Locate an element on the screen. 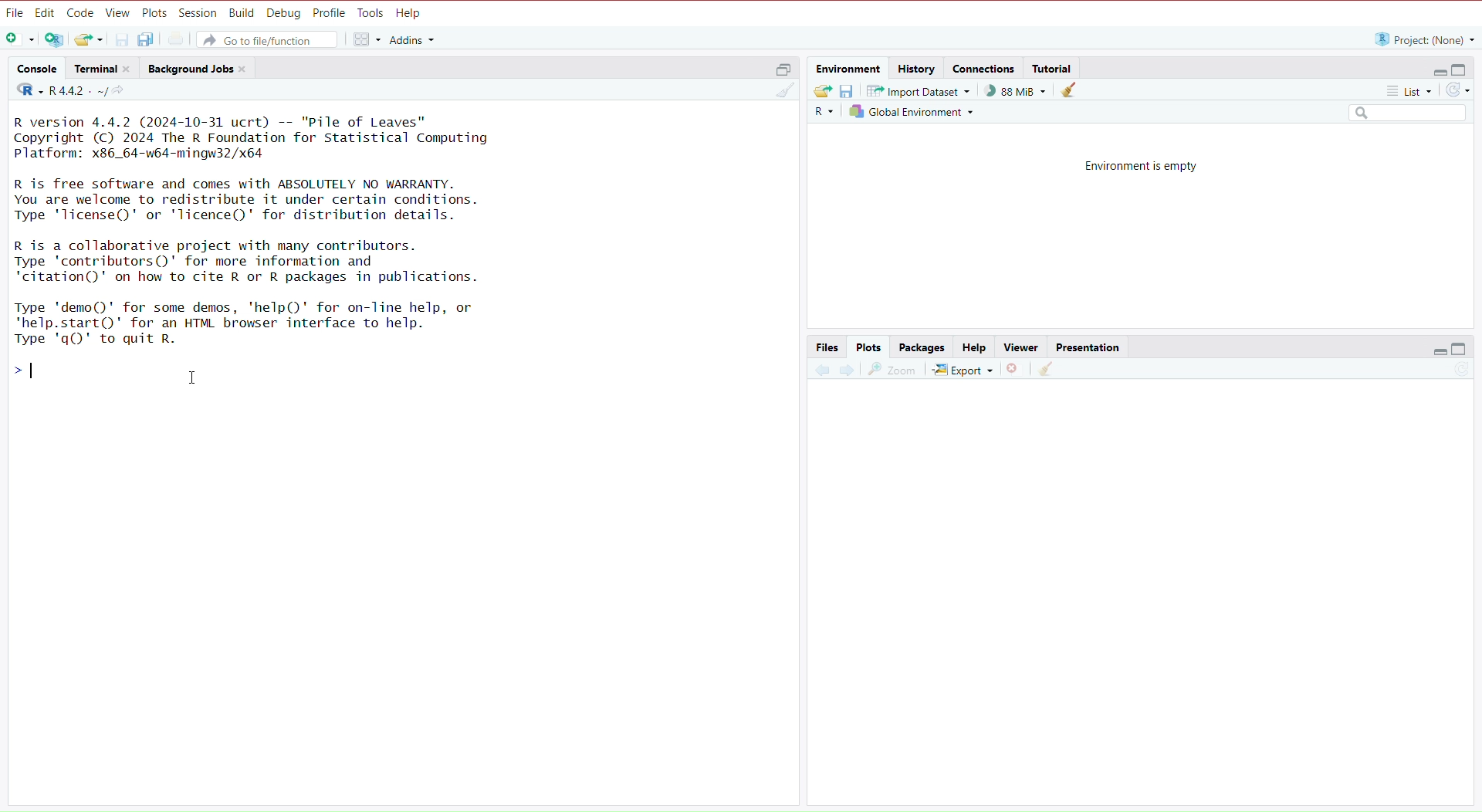 The height and width of the screenshot is (812, 1482). Profile is located at coordinates (330, 12).